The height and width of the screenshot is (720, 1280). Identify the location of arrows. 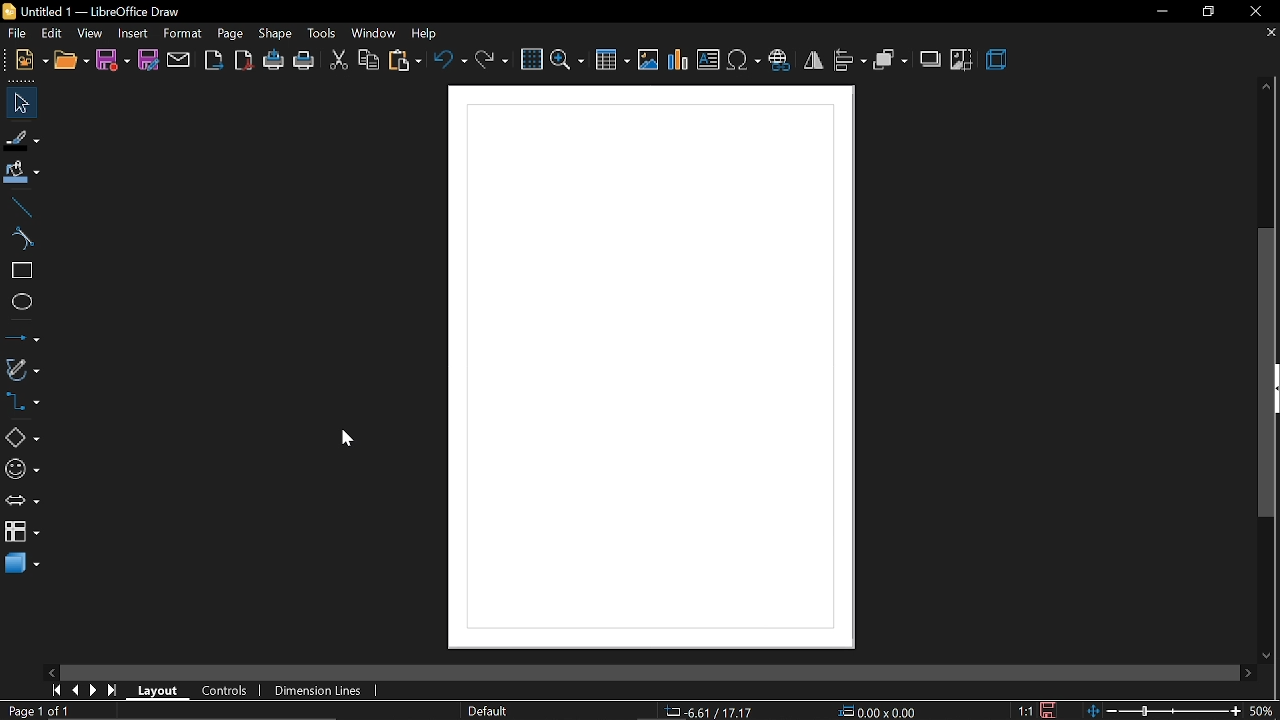
(23, 502).